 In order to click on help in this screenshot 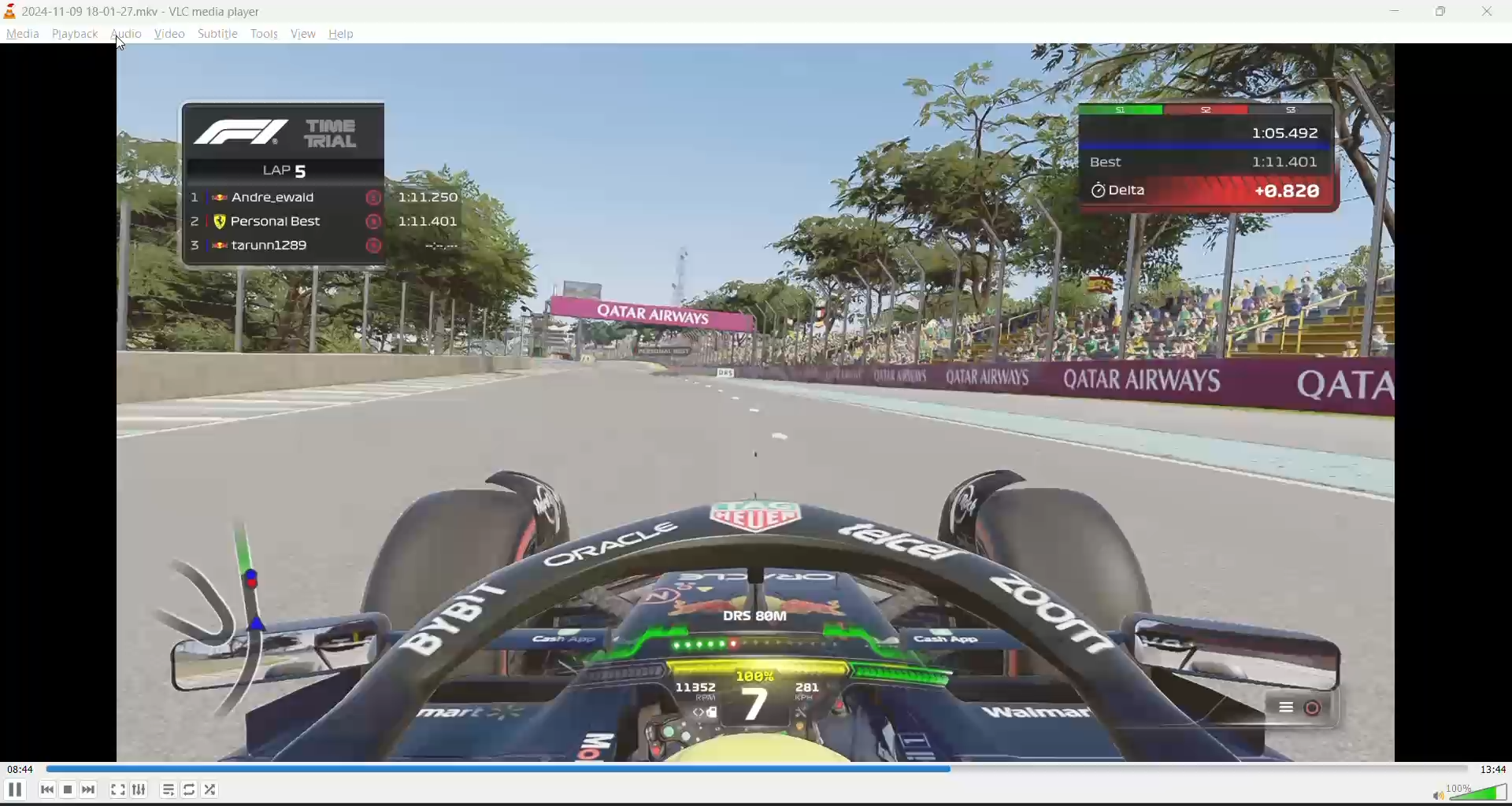, I will do `click(343, 34)`.